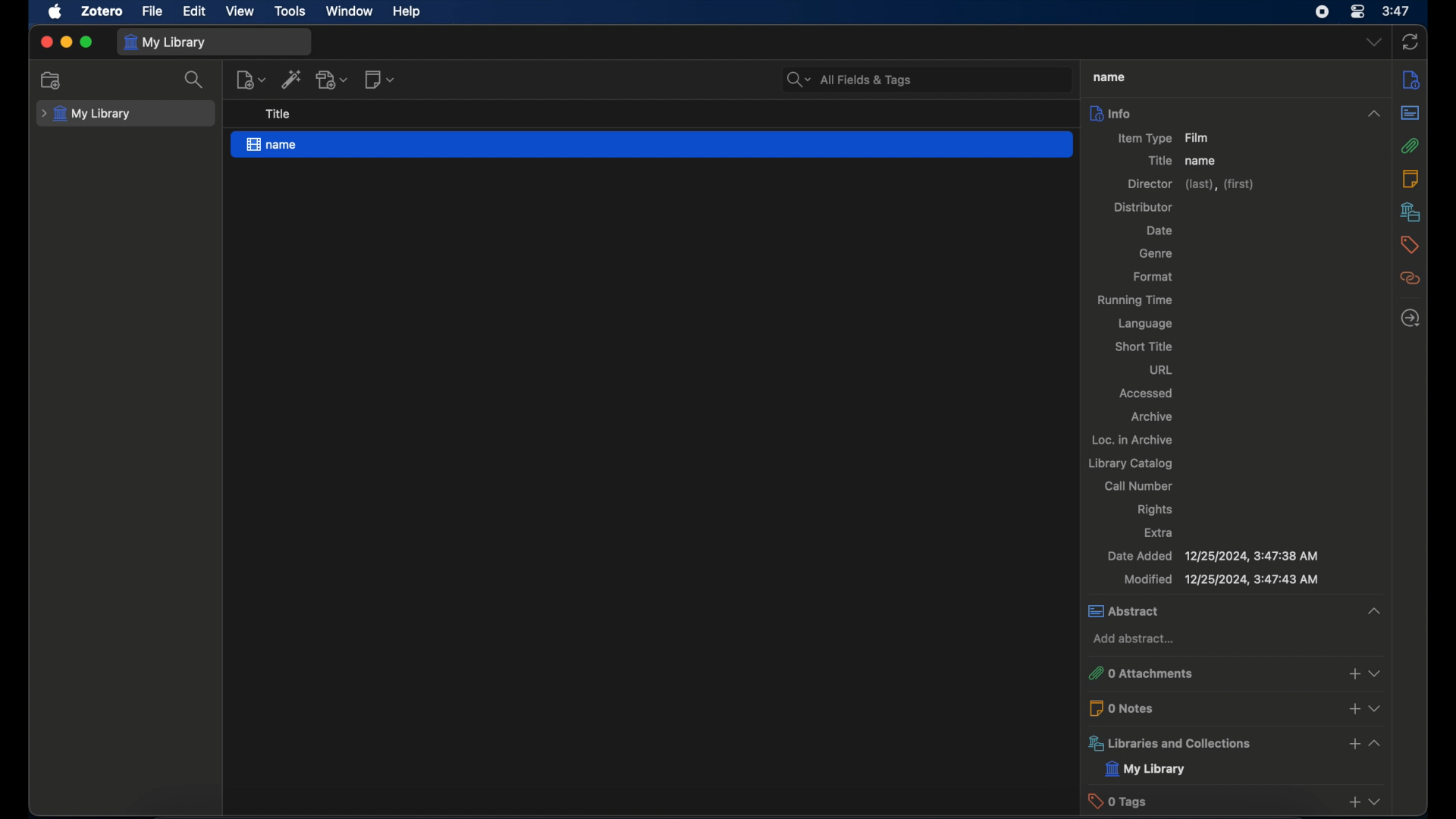  Describe the element at coordinates (1353, 674) in the screenshot. I see `add attachments` at that location.